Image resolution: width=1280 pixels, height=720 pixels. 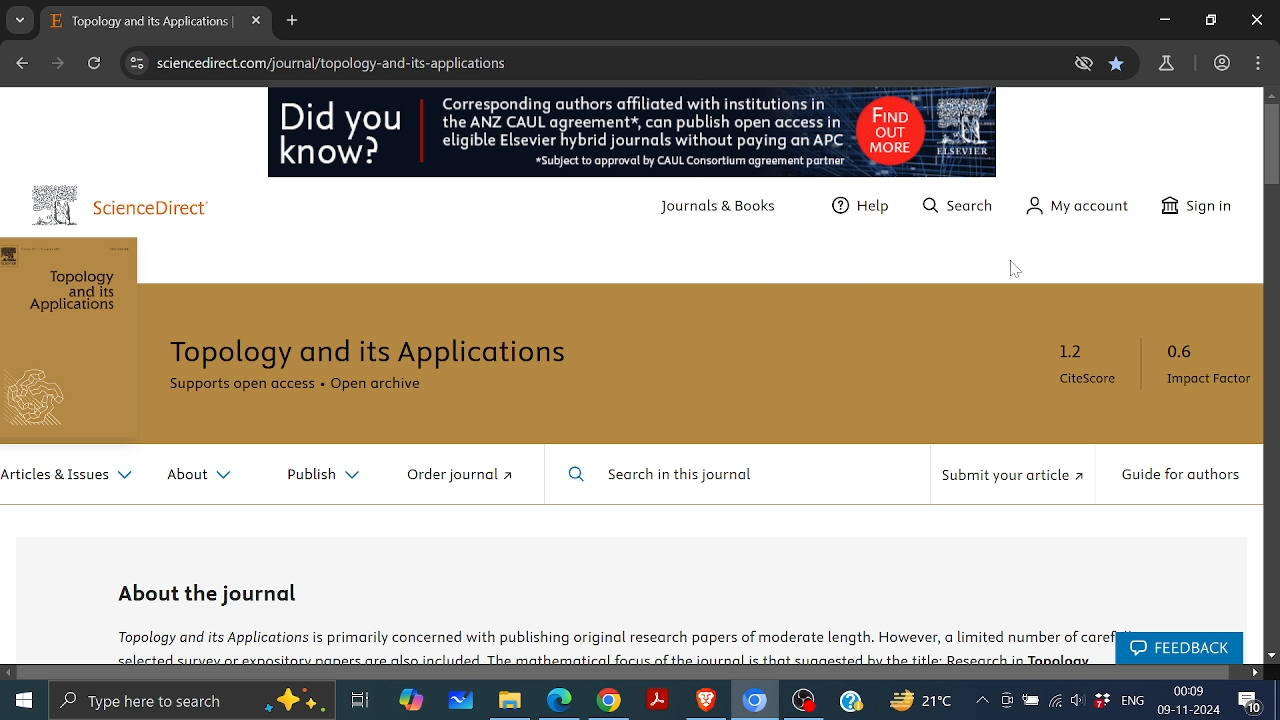 What do you see at coordinates (242, 389) in the screenshot?
I see `support open access` at bounding box center [242, 389].